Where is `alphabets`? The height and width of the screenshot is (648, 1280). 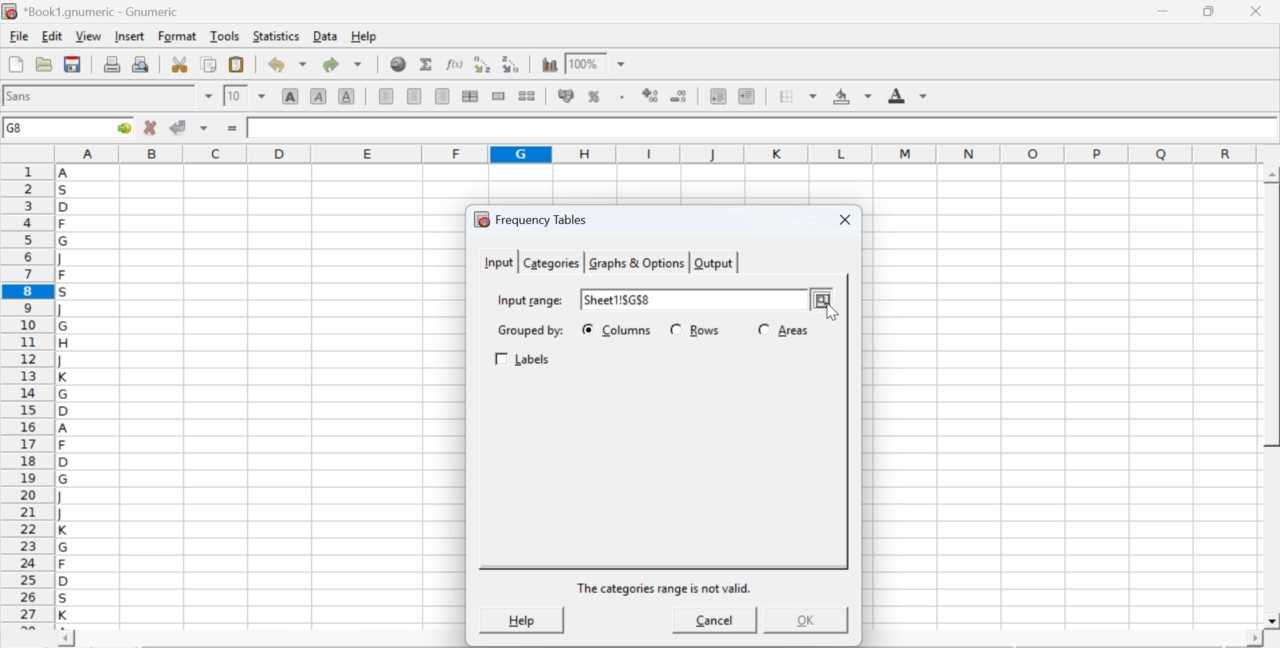 alphabets is located at coordinates (65, 393).